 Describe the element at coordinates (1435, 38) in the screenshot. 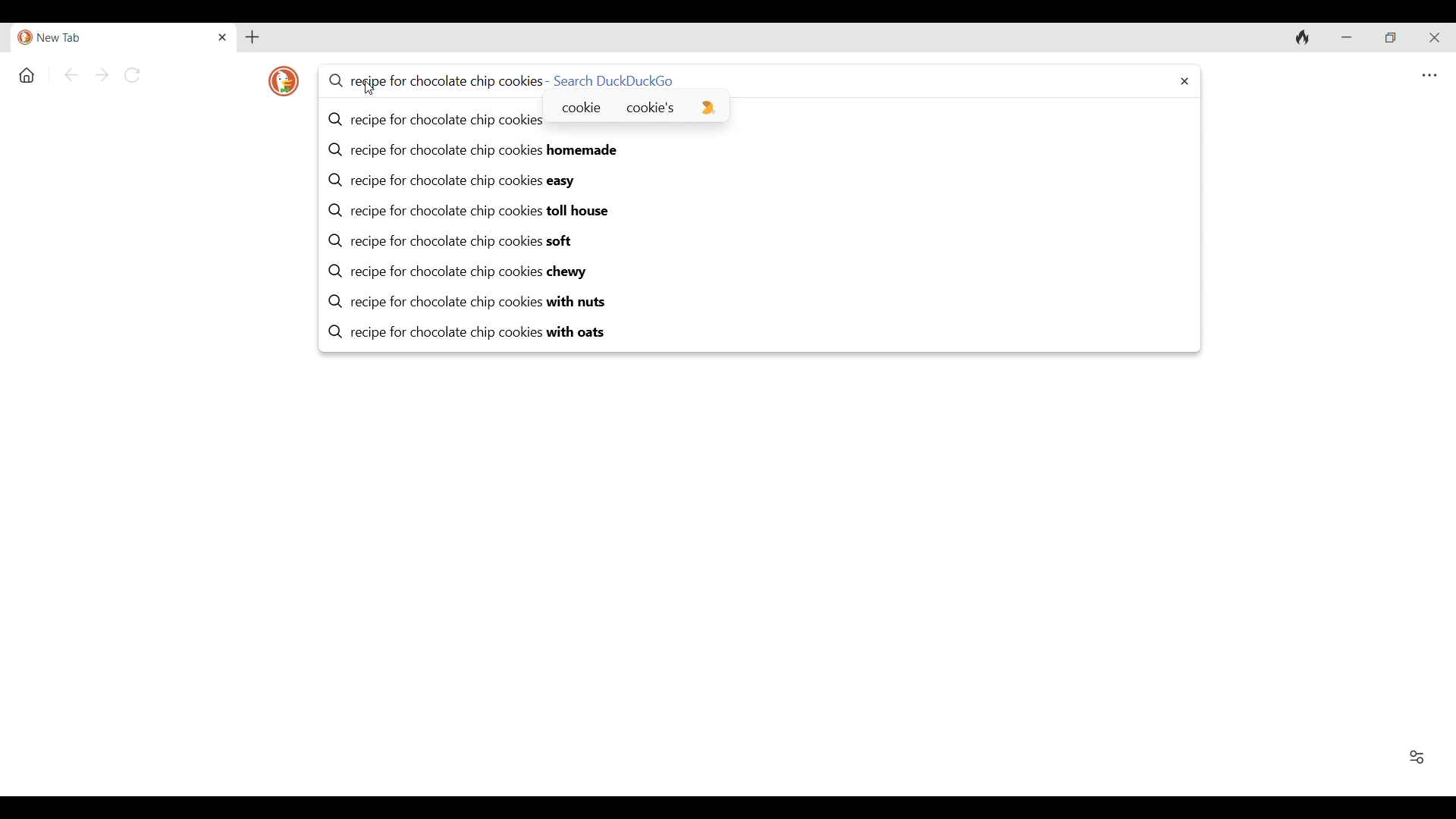

I see `Close interface` at that location.